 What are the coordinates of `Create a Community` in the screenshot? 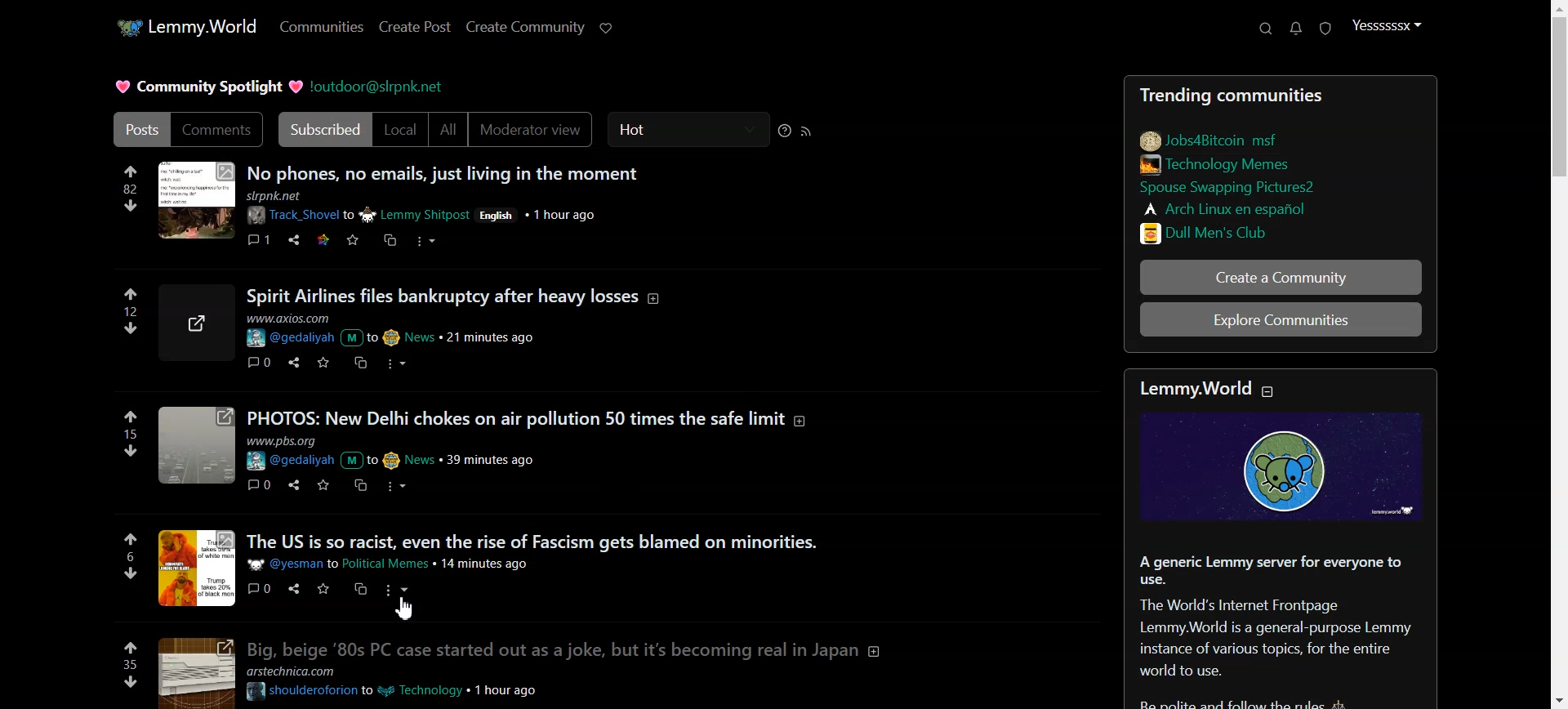 It's located at (1281, 277).